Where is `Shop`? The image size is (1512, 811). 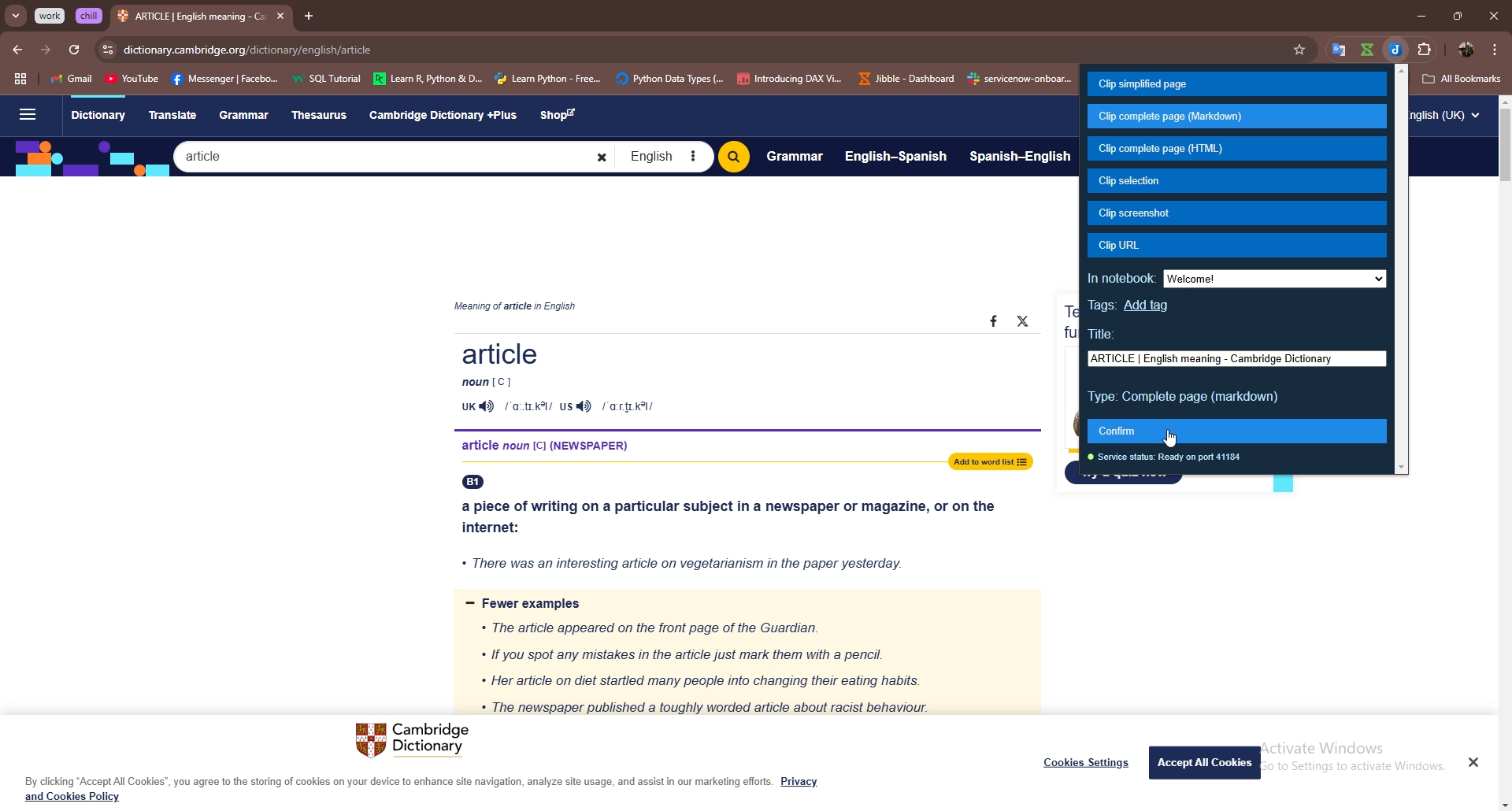 Shop is located at coordinates (562, 116).